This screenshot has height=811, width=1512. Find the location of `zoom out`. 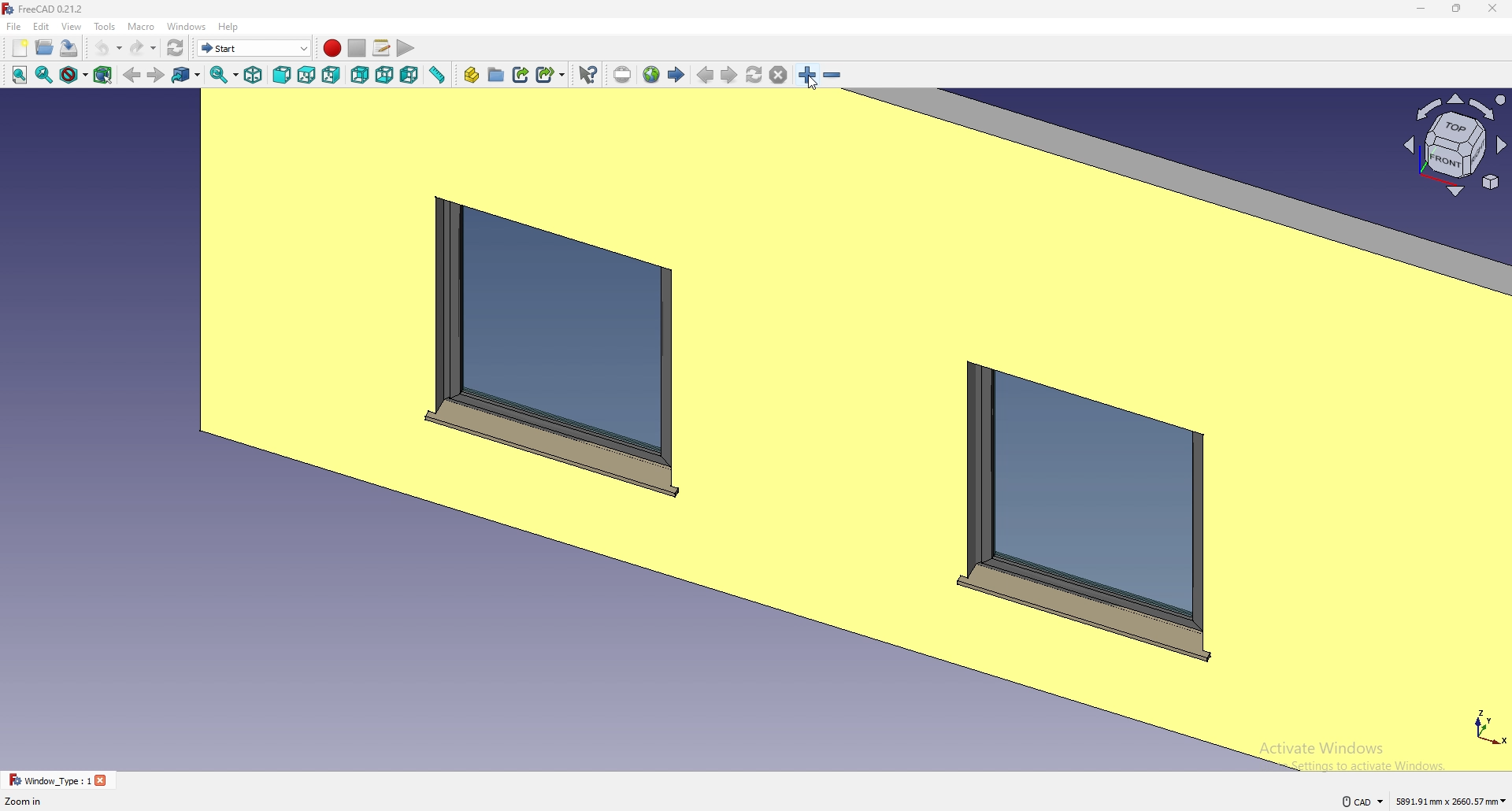

zoom out is located at coordinates (832, 75).